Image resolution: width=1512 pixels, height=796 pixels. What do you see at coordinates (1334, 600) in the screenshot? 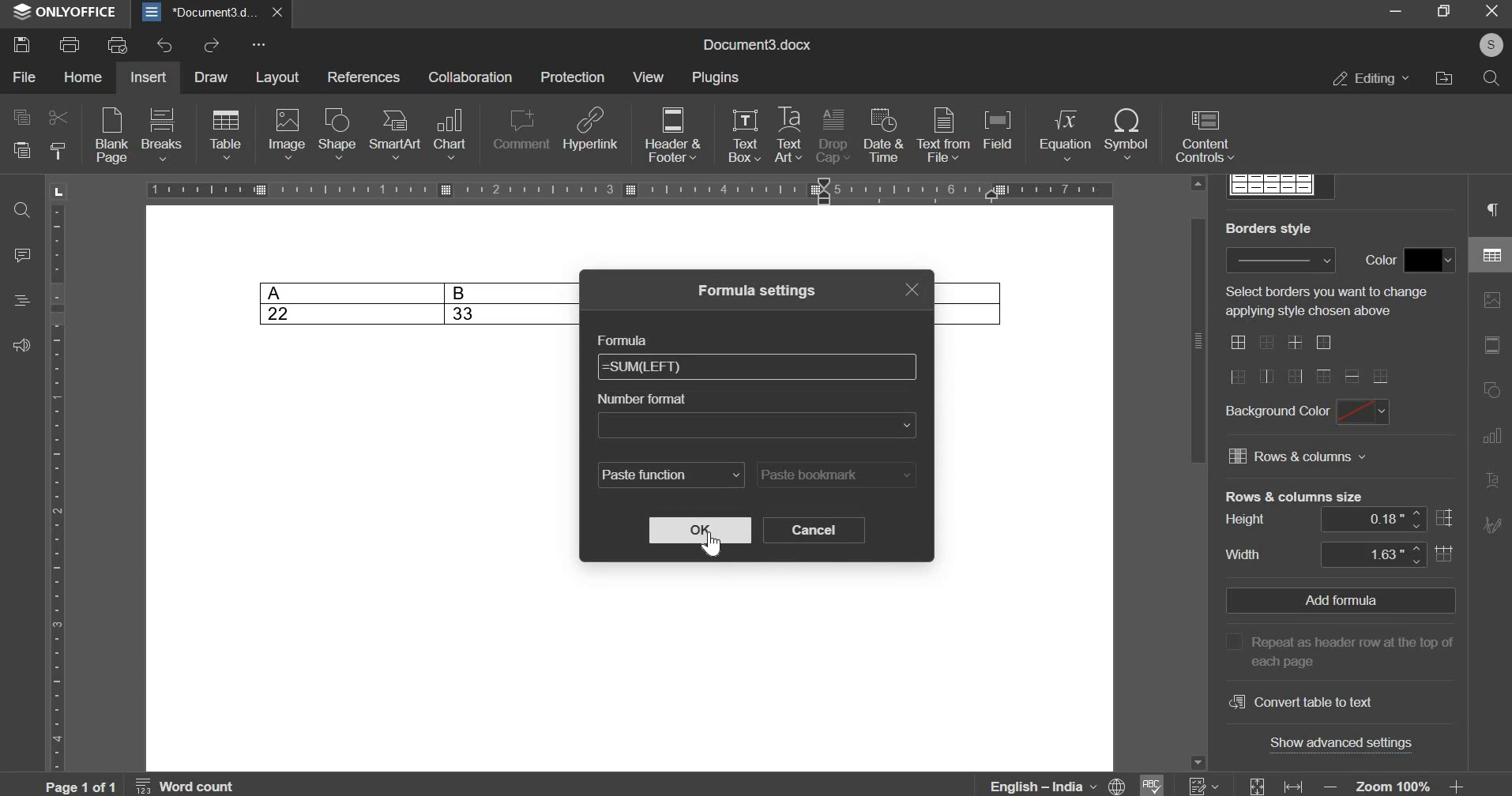
I see `add formula` at bounding box center [1334, 600].